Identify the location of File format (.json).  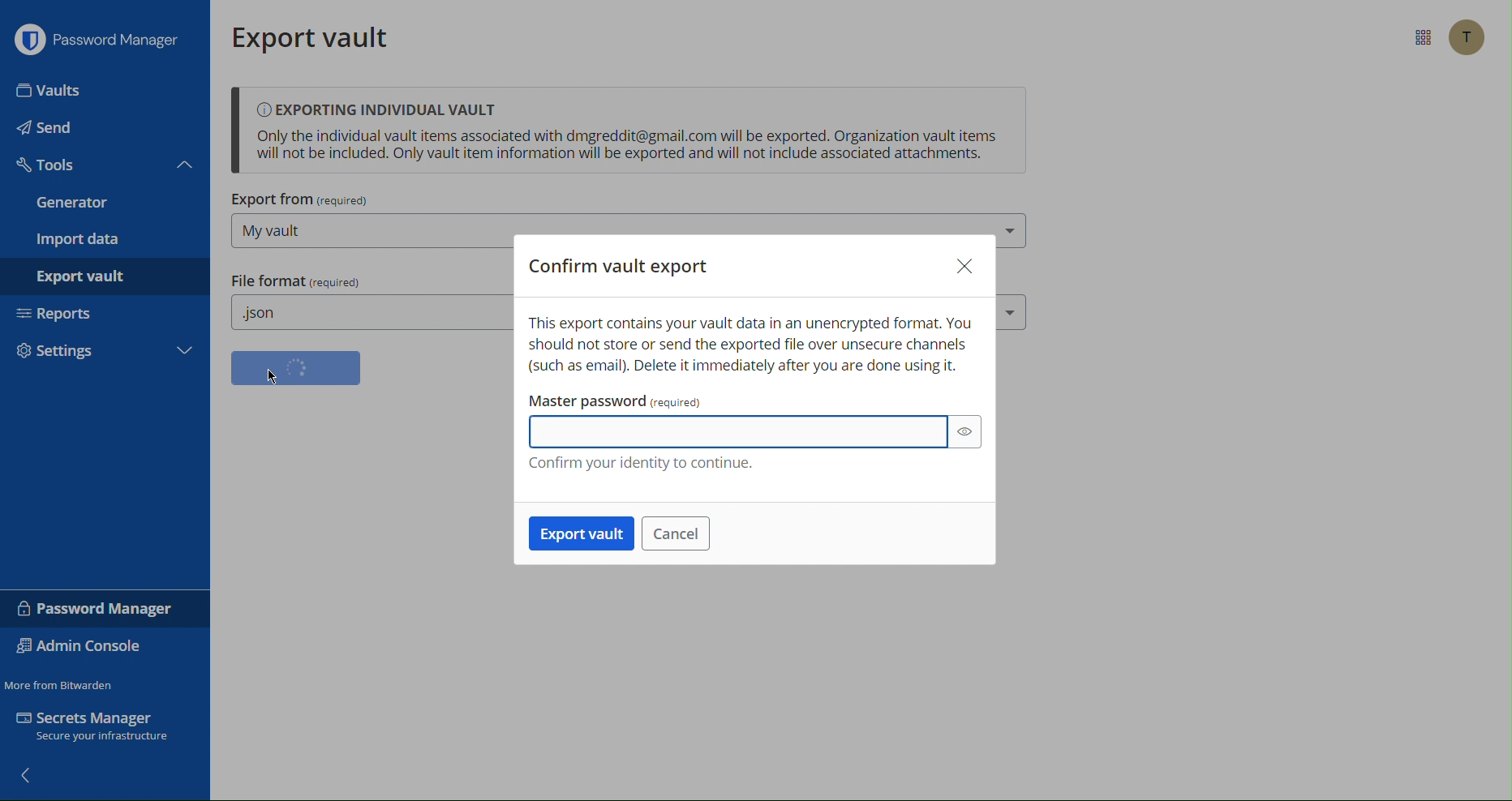
(366, 302).